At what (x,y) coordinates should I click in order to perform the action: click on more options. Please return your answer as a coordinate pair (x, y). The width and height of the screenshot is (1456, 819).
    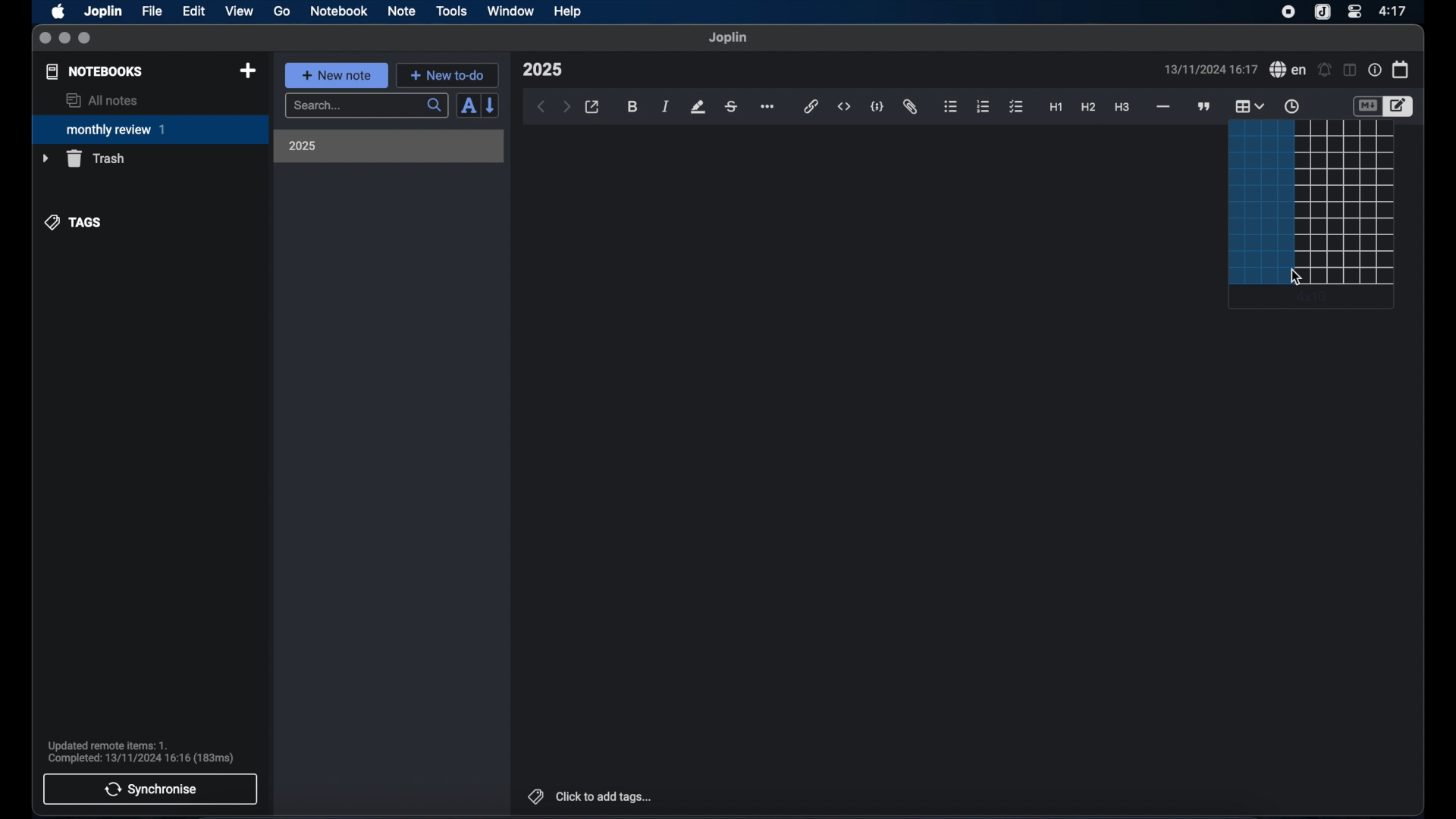
    Looking at the image, I should click on (769, 108).